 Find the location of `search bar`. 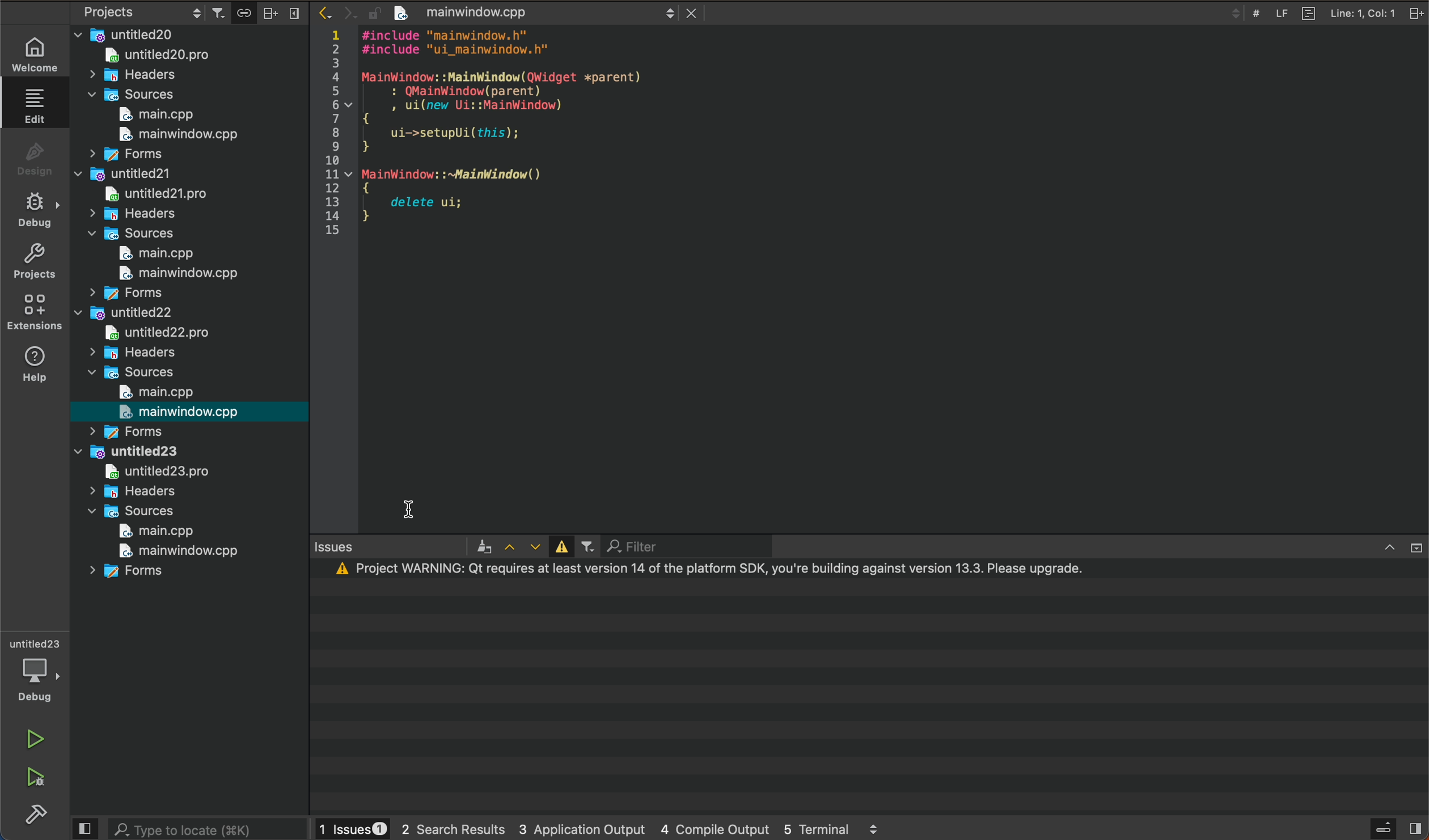

search bar is located at coordinates (208, 828).